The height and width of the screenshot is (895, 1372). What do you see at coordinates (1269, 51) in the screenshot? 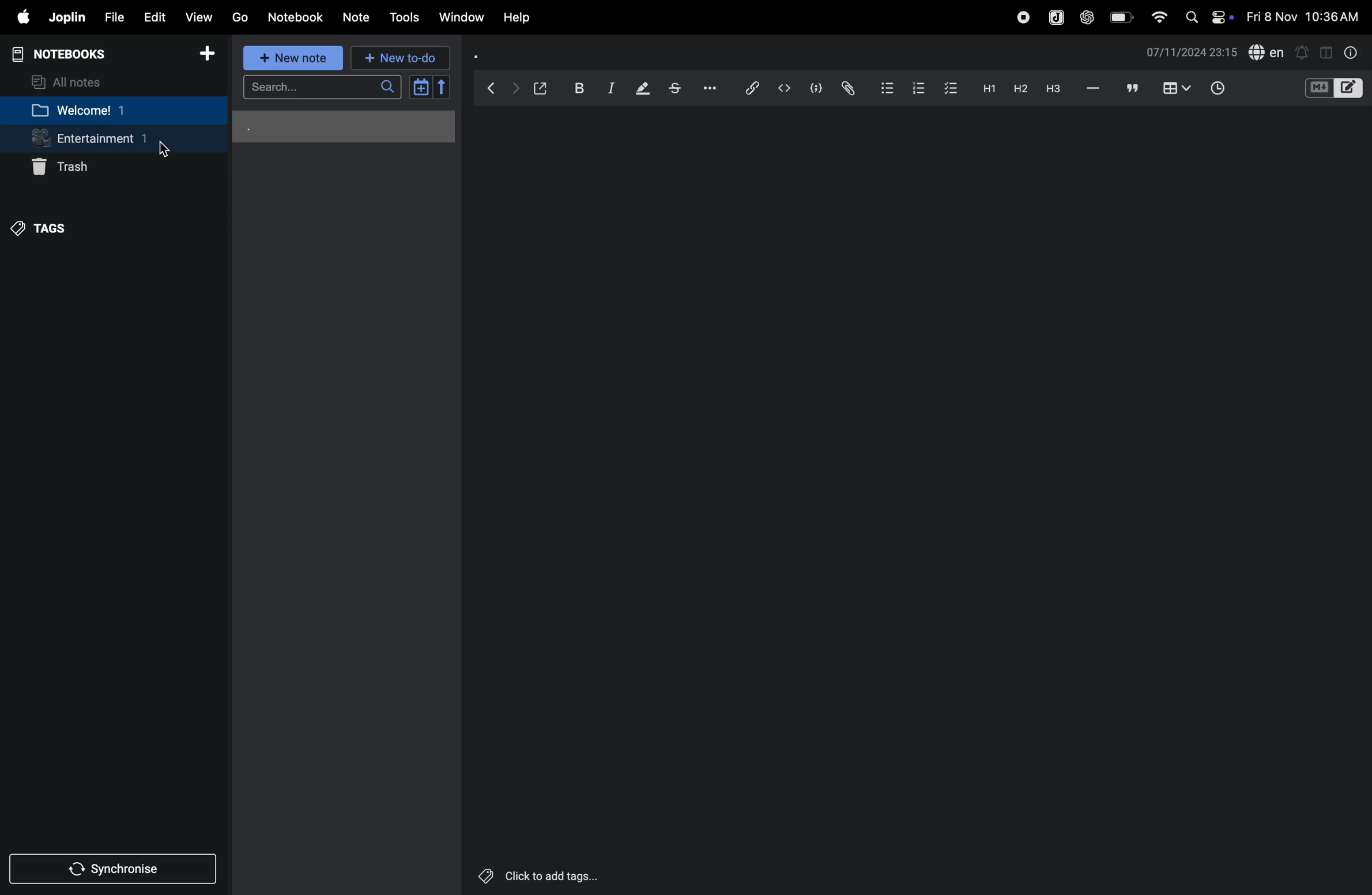
I see `spell check` at bounding box center [1269, 51].